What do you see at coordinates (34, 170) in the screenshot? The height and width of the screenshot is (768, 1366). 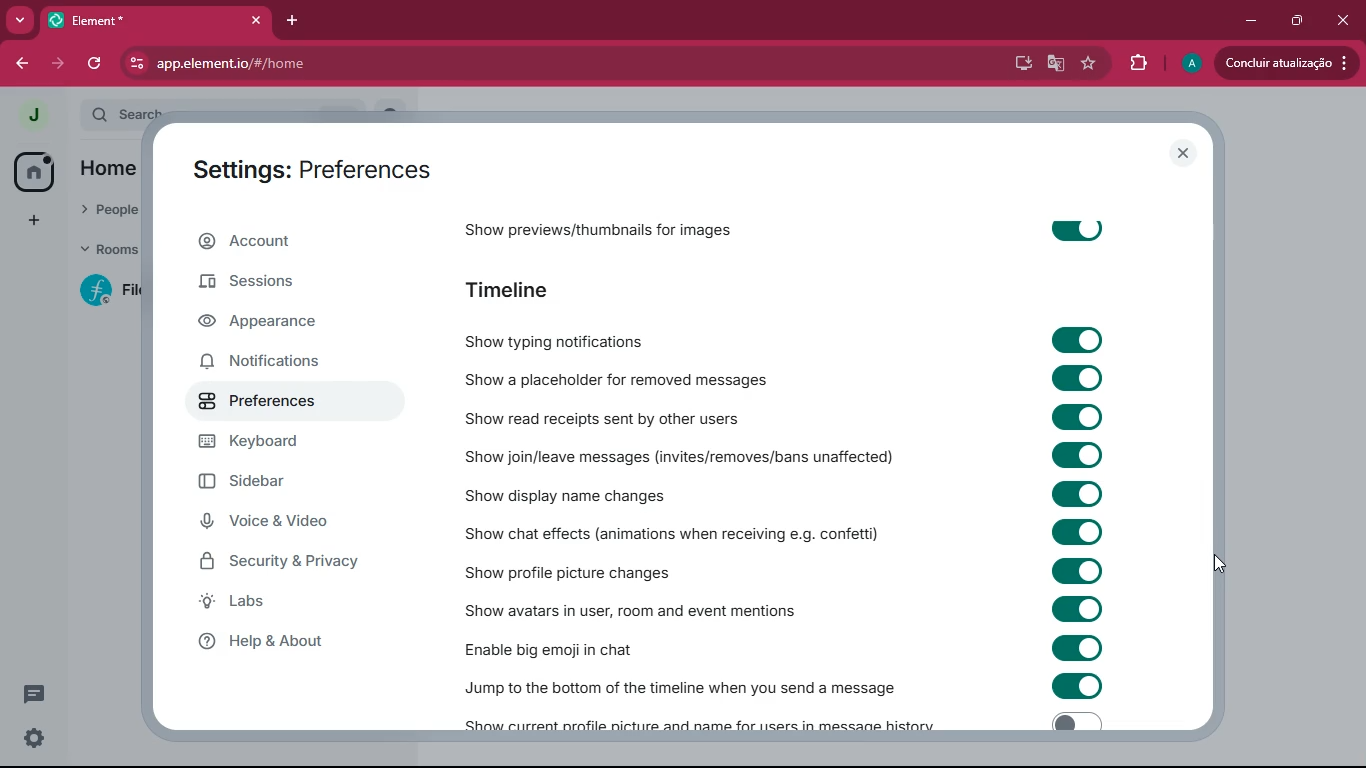 I see `home` at bounding box center [34, 170].